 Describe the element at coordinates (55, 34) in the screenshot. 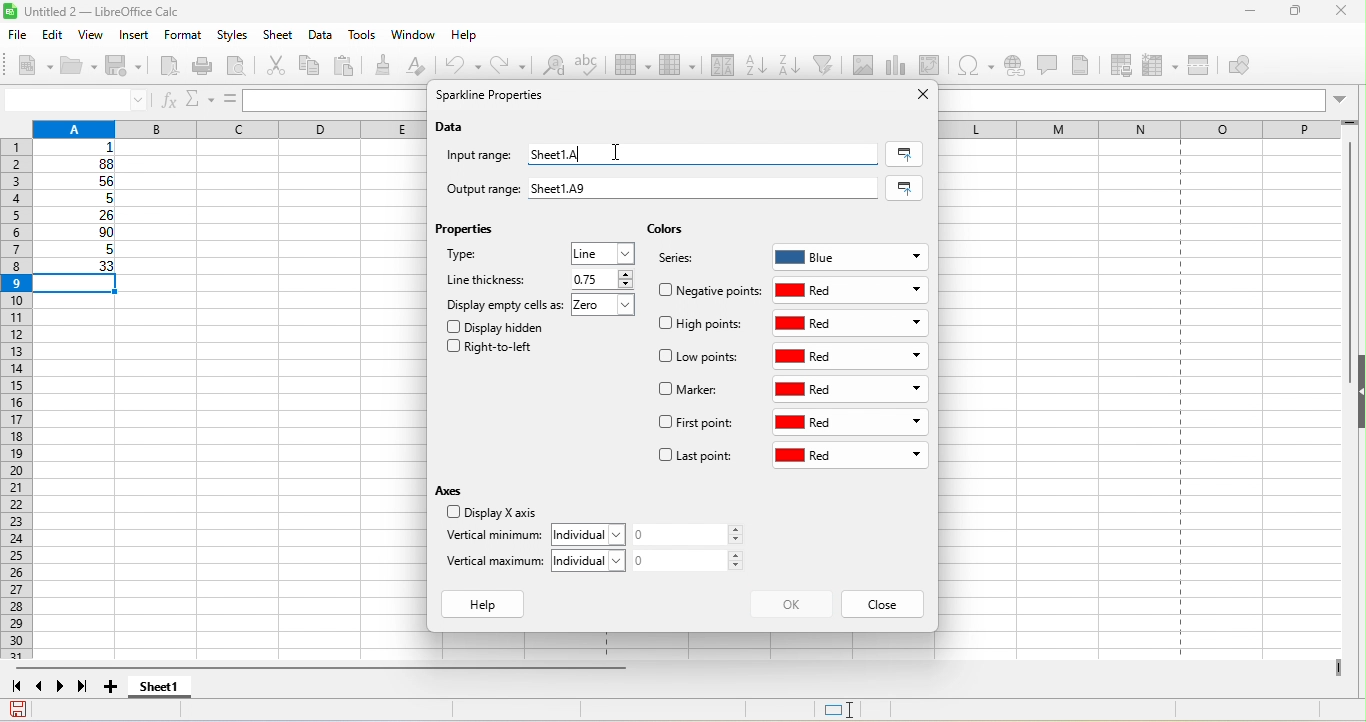

I see `edit` at that location.